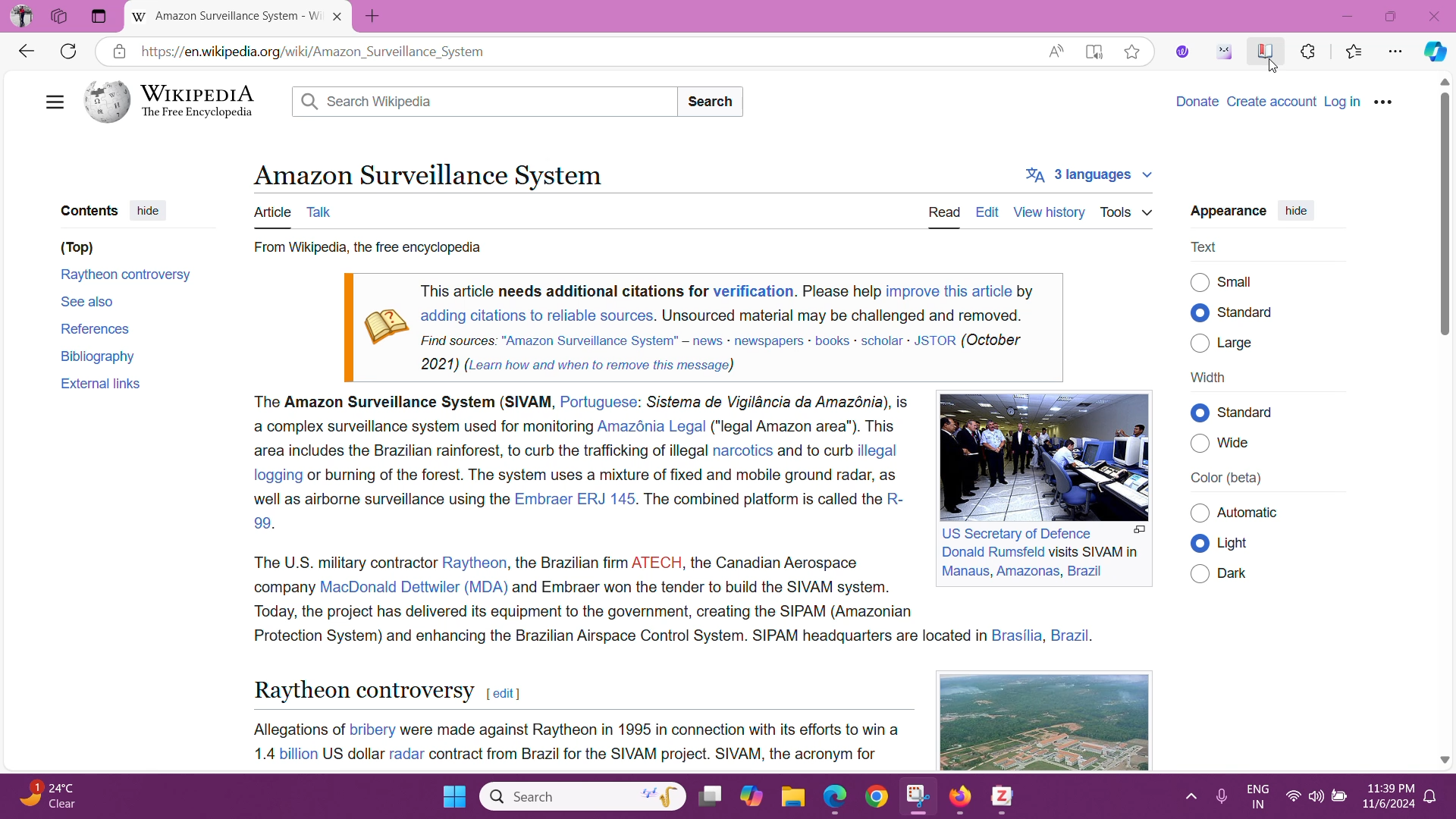  I want to click on Windows Search, so click(581, 795).